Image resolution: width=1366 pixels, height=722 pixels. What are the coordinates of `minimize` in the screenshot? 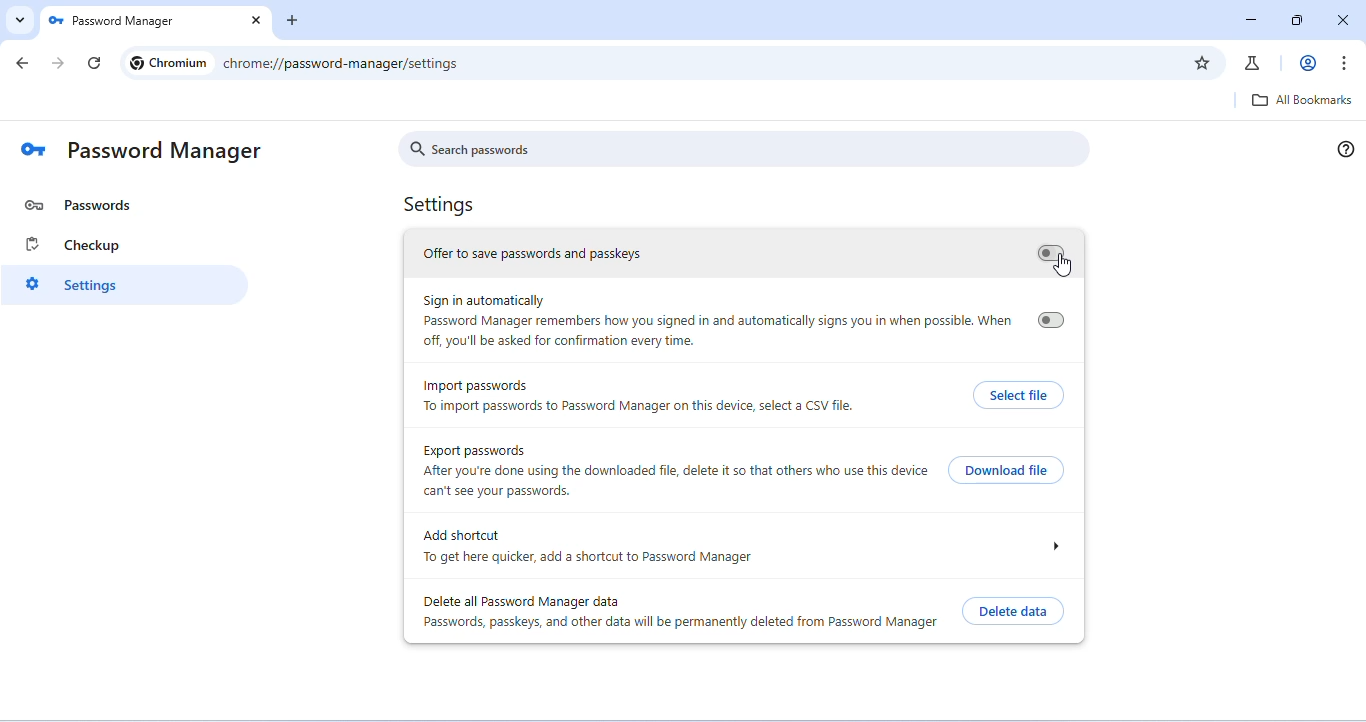 It's located at (1250, 19).